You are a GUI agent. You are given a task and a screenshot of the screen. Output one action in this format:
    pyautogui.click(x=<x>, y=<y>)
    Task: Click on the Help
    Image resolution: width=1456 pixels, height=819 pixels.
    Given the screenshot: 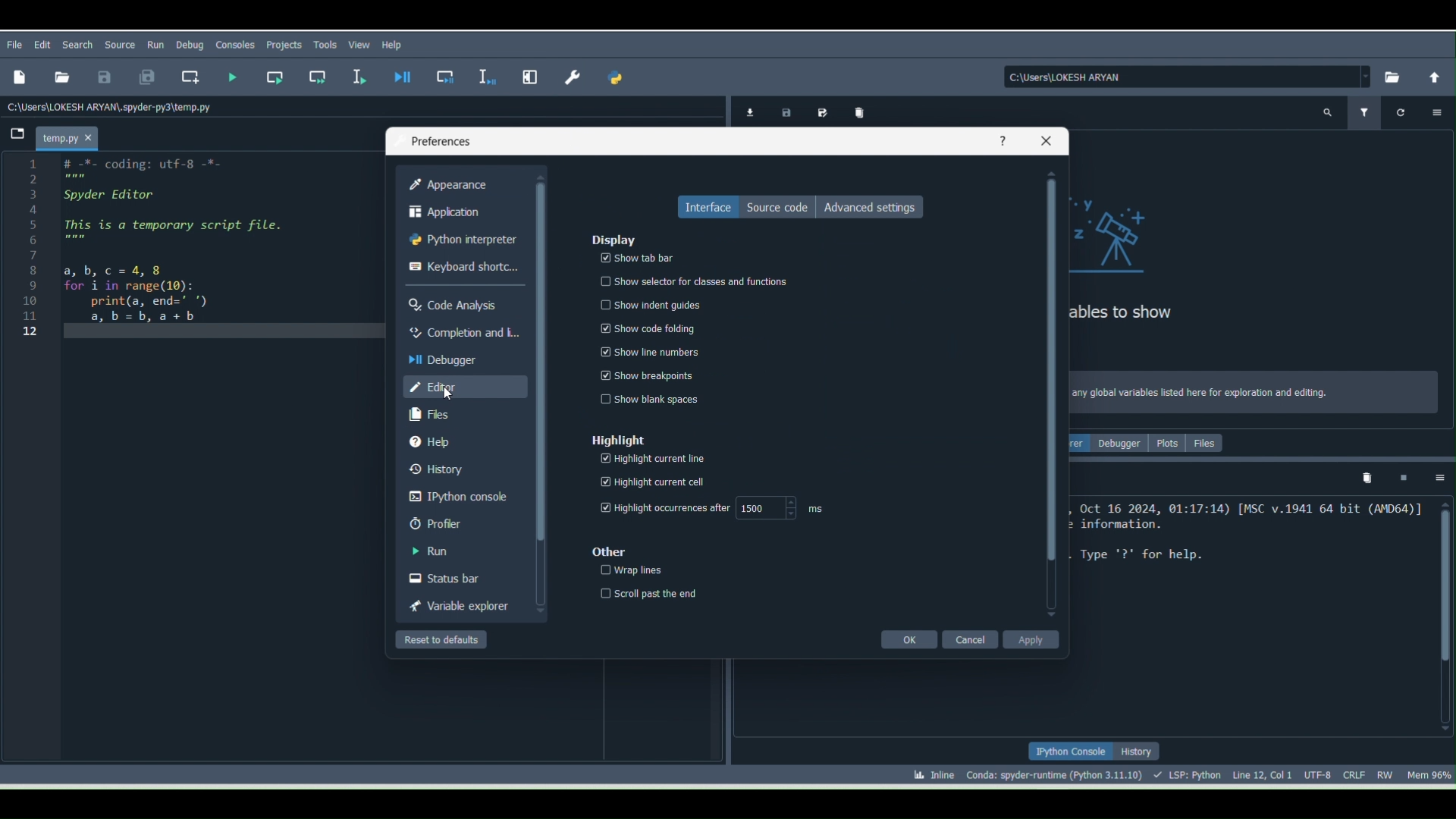 What is the action you would take?
    pyautogui.click(x=1002, y=140)
    